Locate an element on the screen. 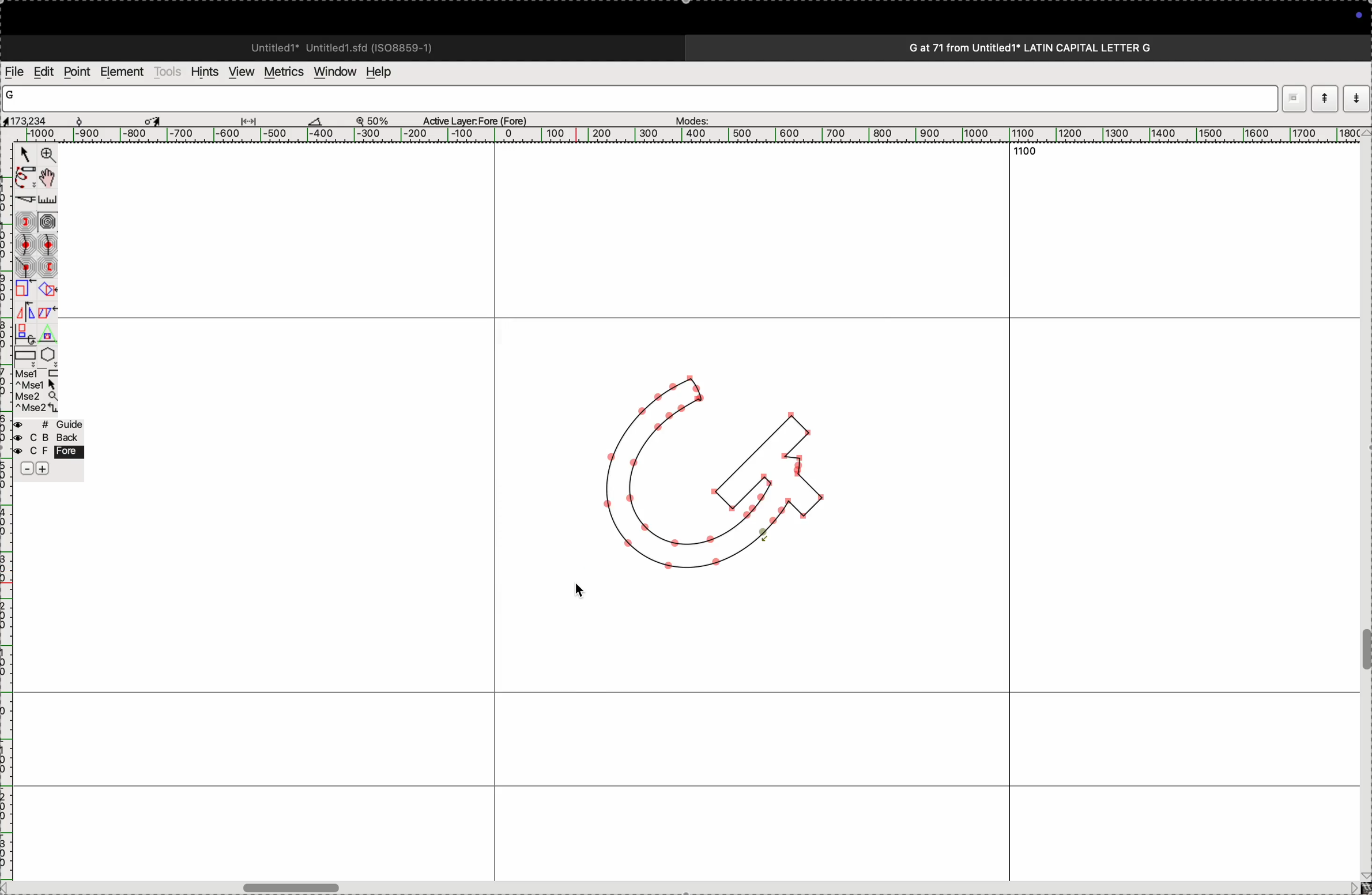  mouse wheel button is located at coordinates (37, 397).